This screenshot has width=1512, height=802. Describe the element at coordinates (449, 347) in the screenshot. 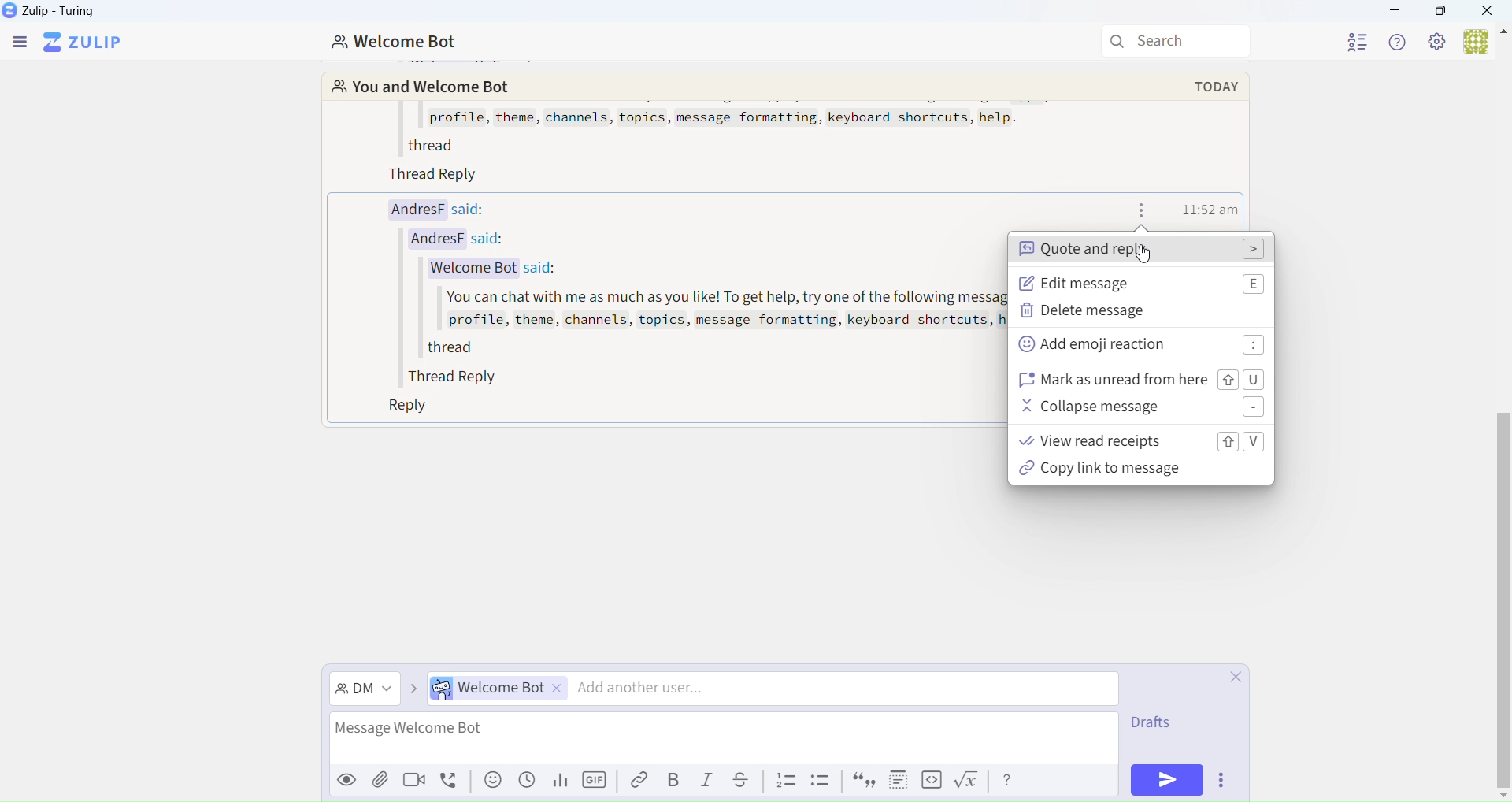

I see `thread` at that location.